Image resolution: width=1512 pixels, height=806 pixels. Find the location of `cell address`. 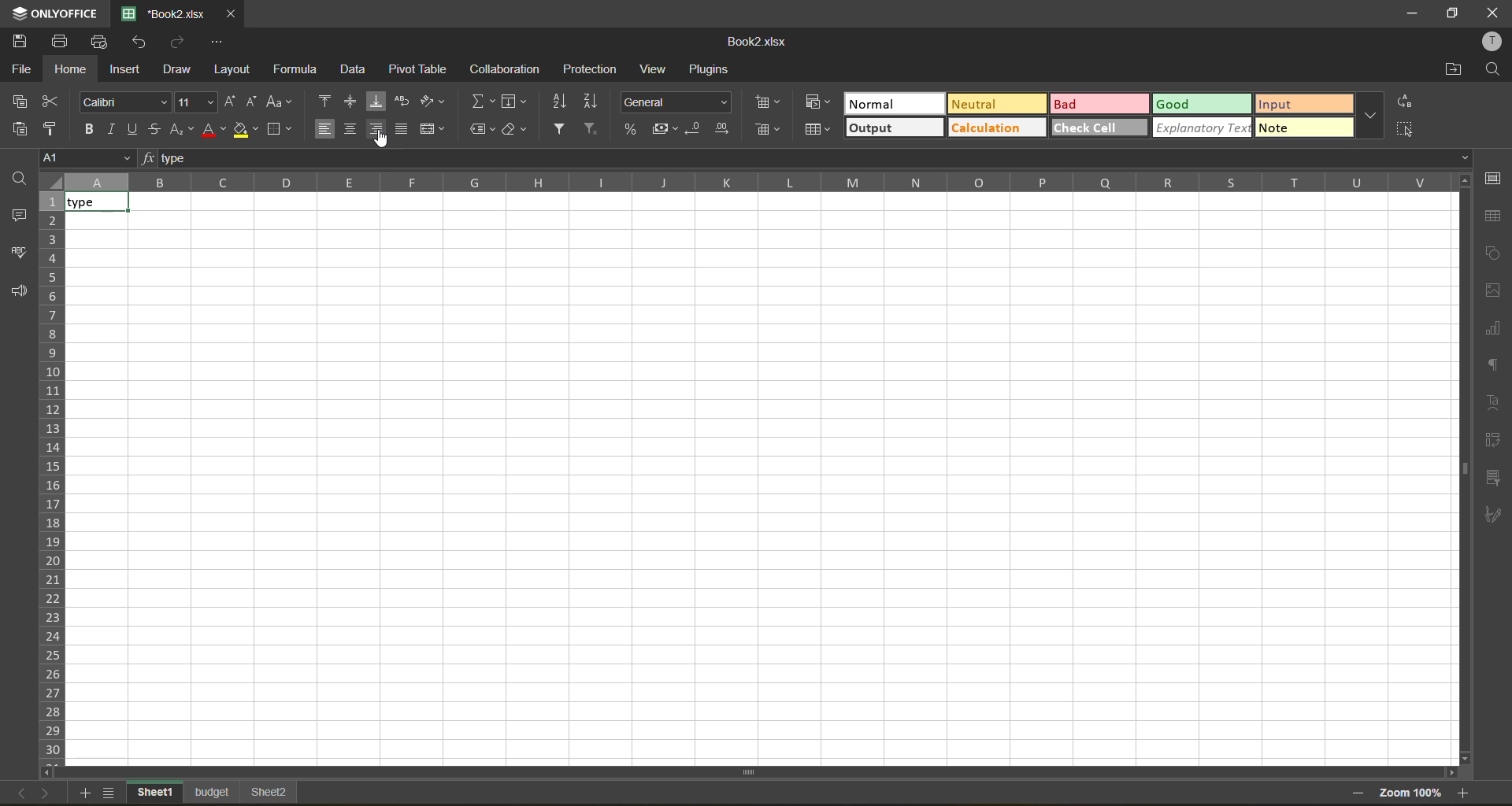

cell address is located at coordinates (91, 157).